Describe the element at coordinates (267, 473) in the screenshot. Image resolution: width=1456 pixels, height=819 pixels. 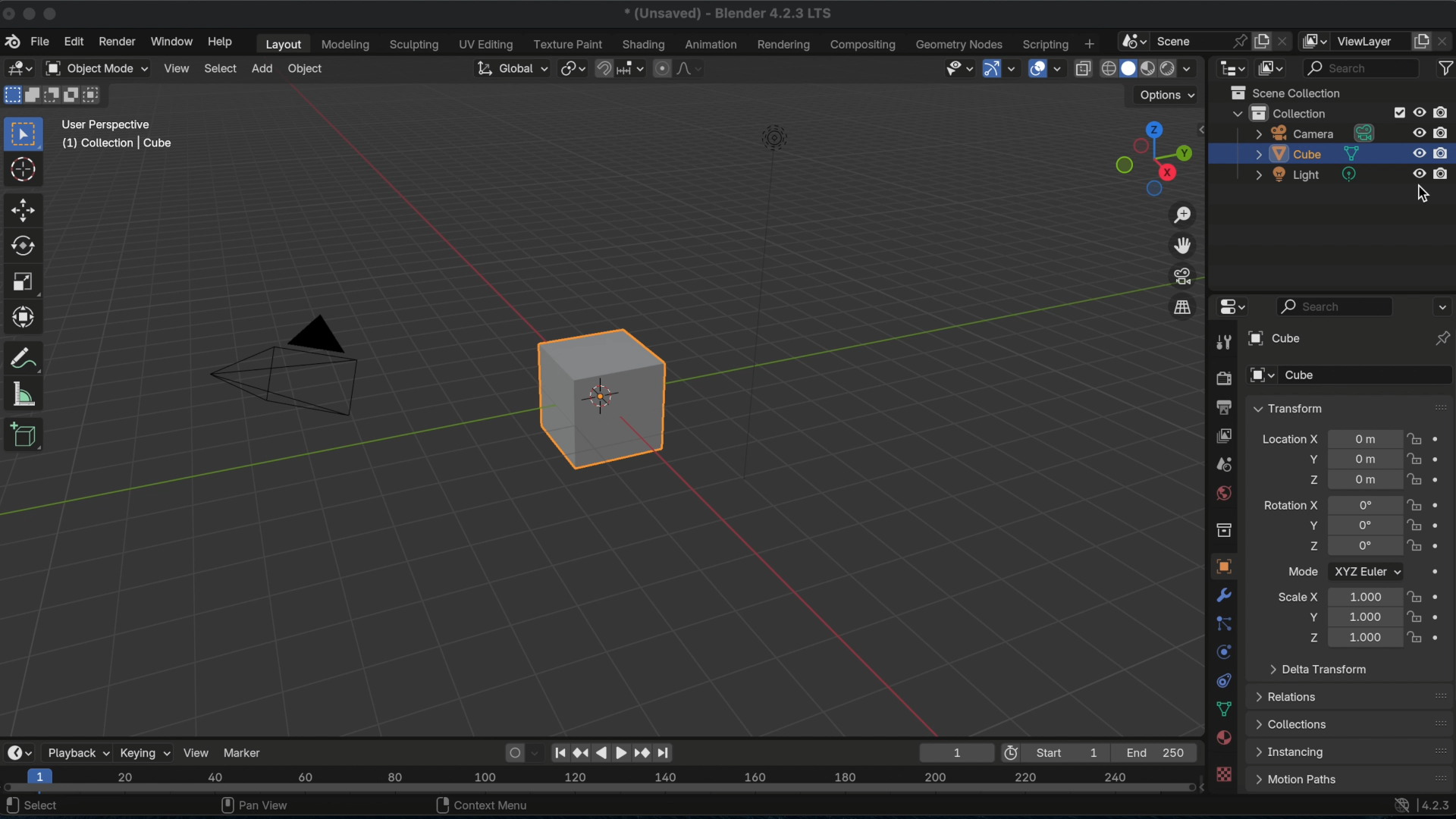
I see `Y Axis` at that location.